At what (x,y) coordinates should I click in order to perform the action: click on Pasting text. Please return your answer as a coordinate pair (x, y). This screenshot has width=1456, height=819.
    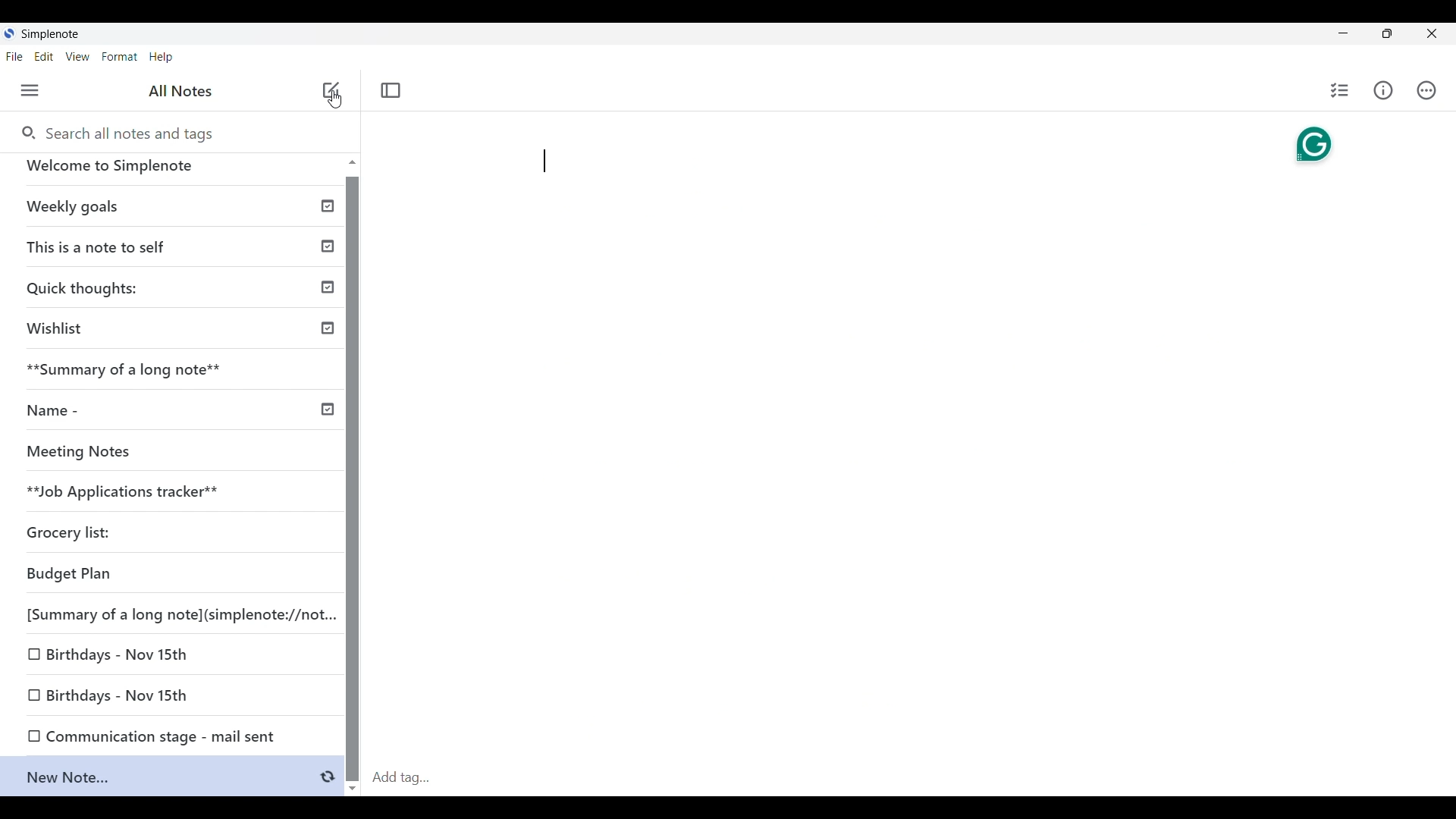
    Looking at the image, I should click on (544, 161).